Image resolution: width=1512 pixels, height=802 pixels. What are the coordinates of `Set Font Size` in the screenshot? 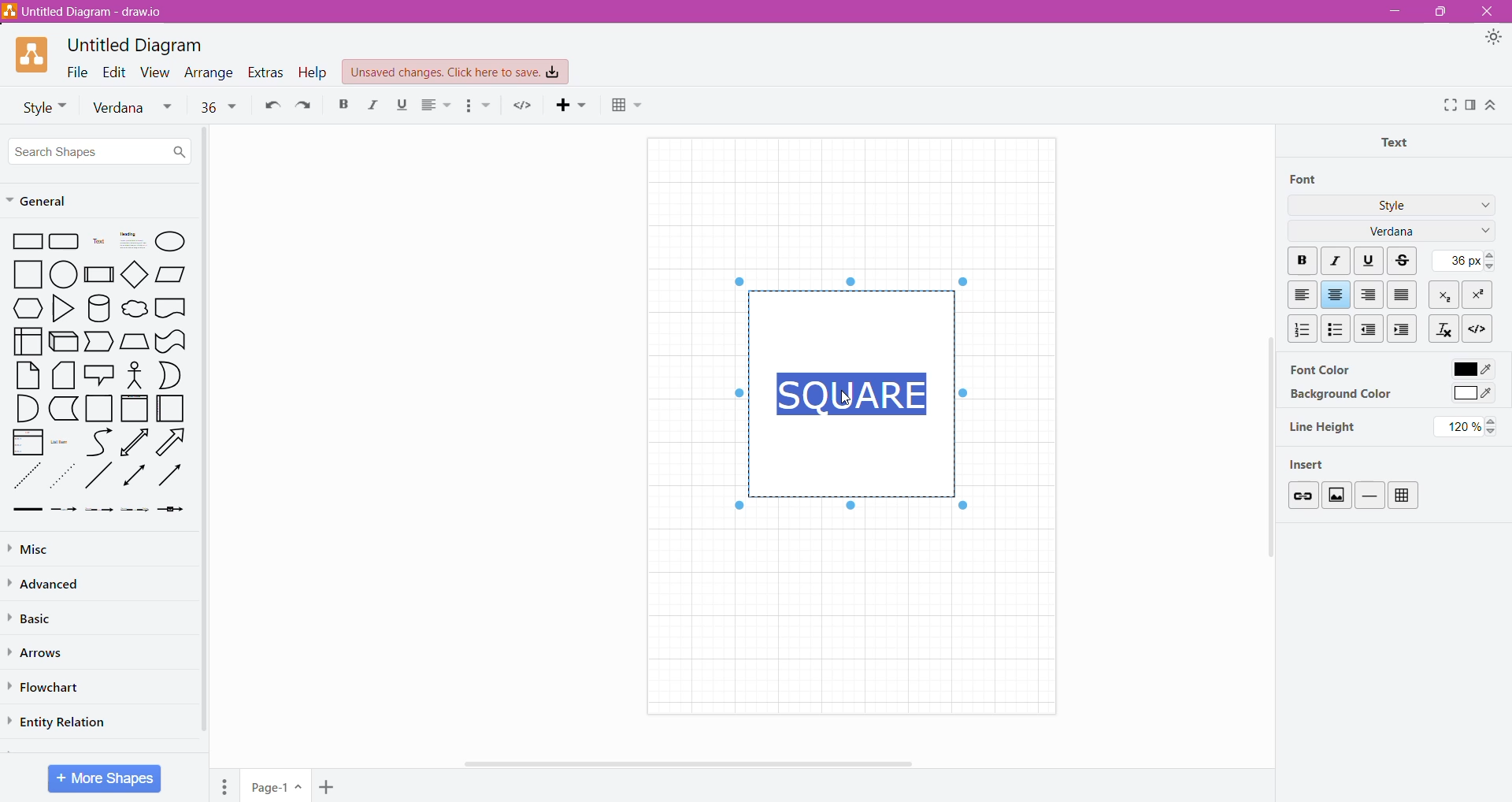 It's located at (1462, 260).